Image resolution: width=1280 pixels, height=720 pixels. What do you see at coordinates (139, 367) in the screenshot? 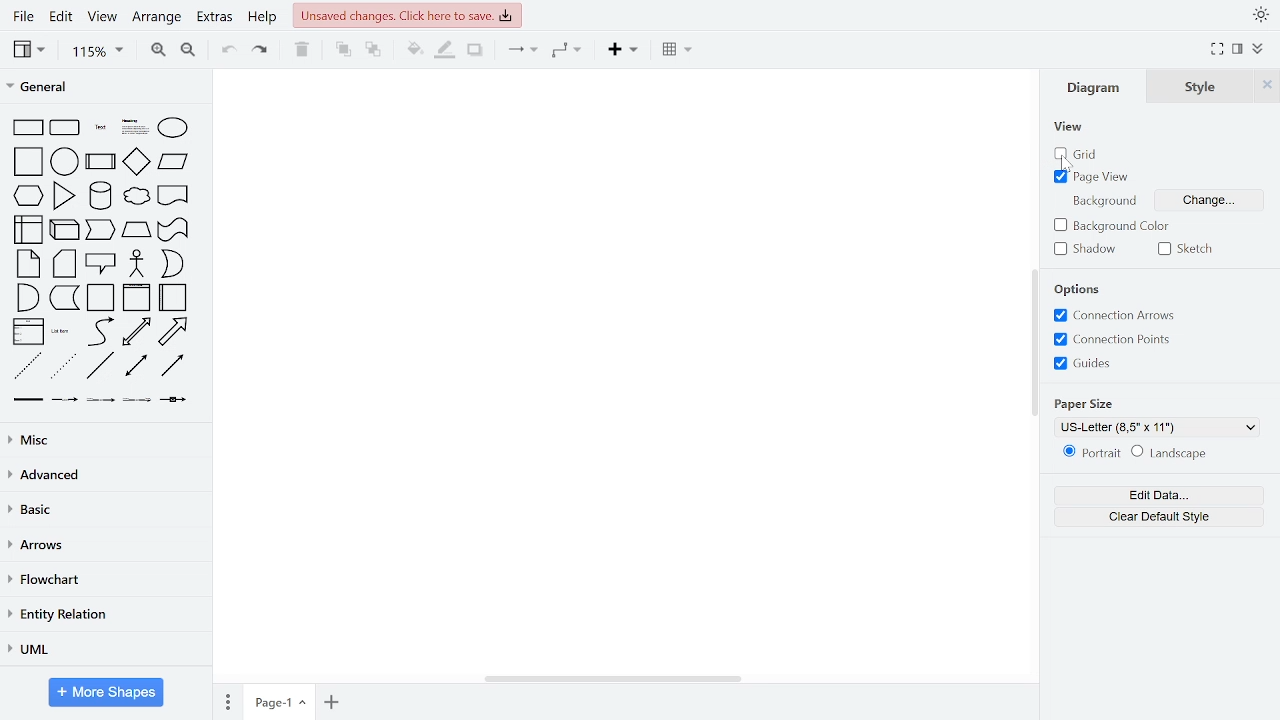
I see `bidirectional connector` at bounding box center [139, 367].